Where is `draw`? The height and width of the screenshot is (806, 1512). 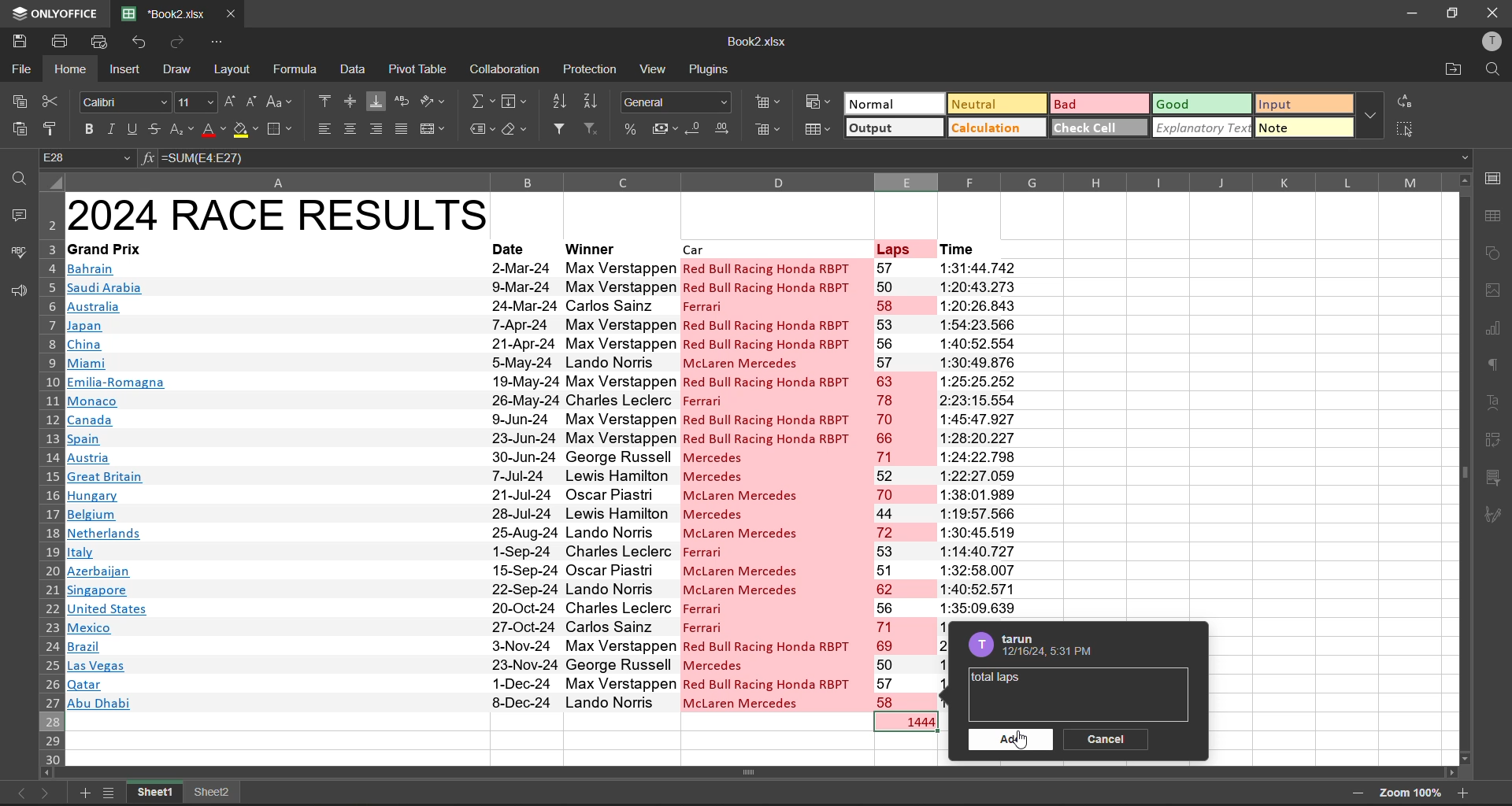 draw is located at coordinates (181, 72).